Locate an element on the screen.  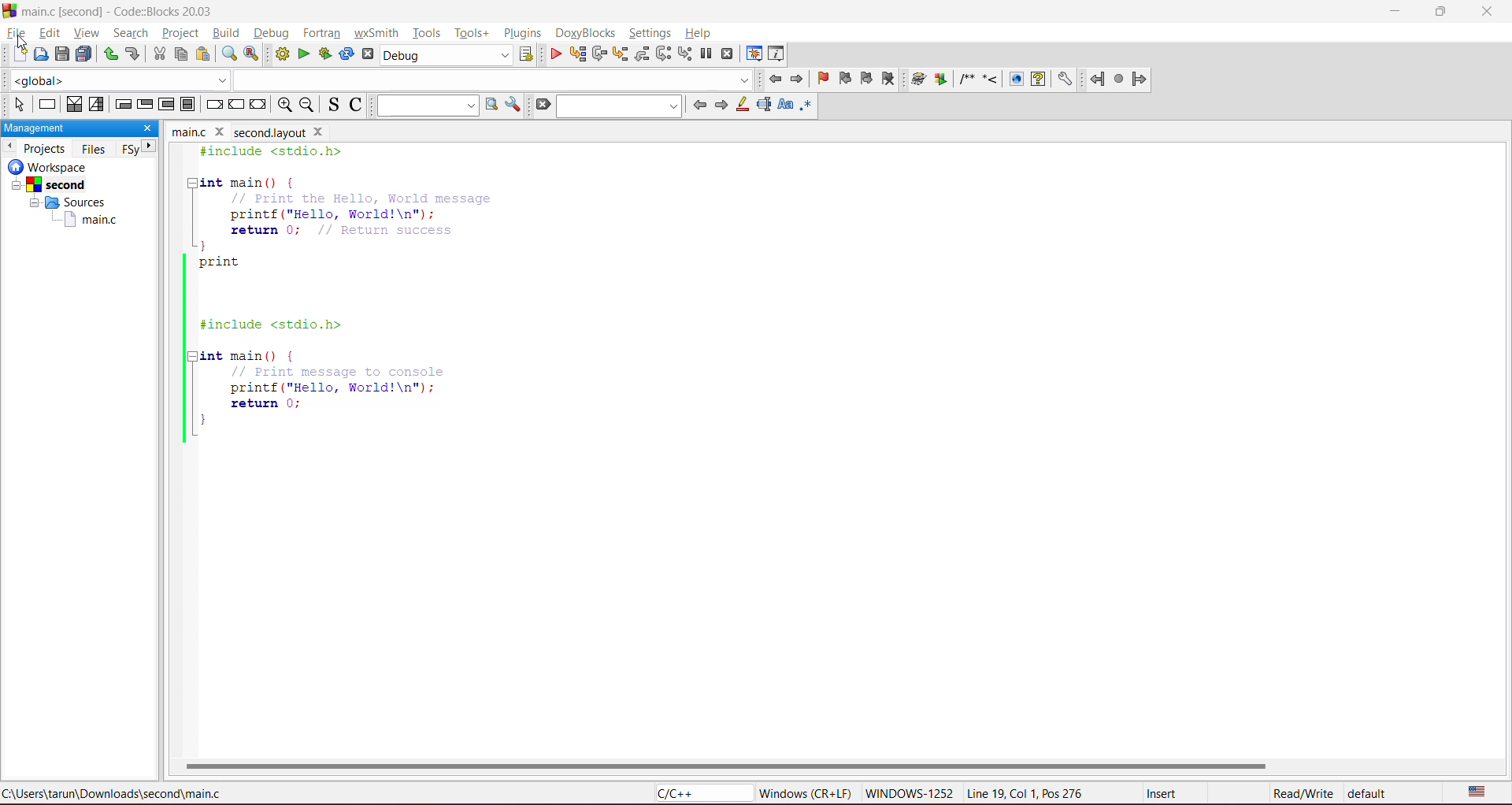
step into is located at coordinates (620, 54).